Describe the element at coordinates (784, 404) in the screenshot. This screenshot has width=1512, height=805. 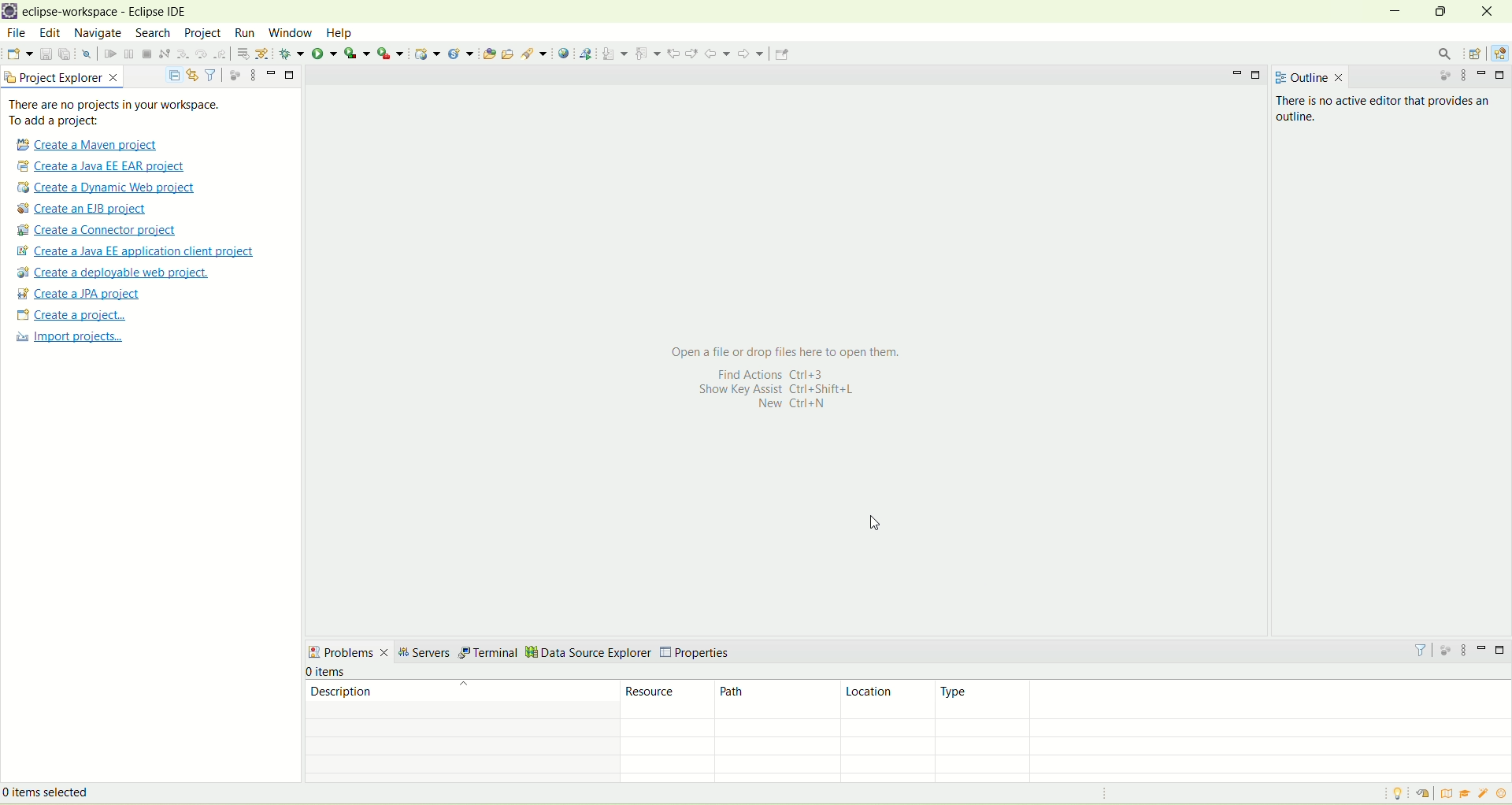
I see `New Ctrl+N` at that location.